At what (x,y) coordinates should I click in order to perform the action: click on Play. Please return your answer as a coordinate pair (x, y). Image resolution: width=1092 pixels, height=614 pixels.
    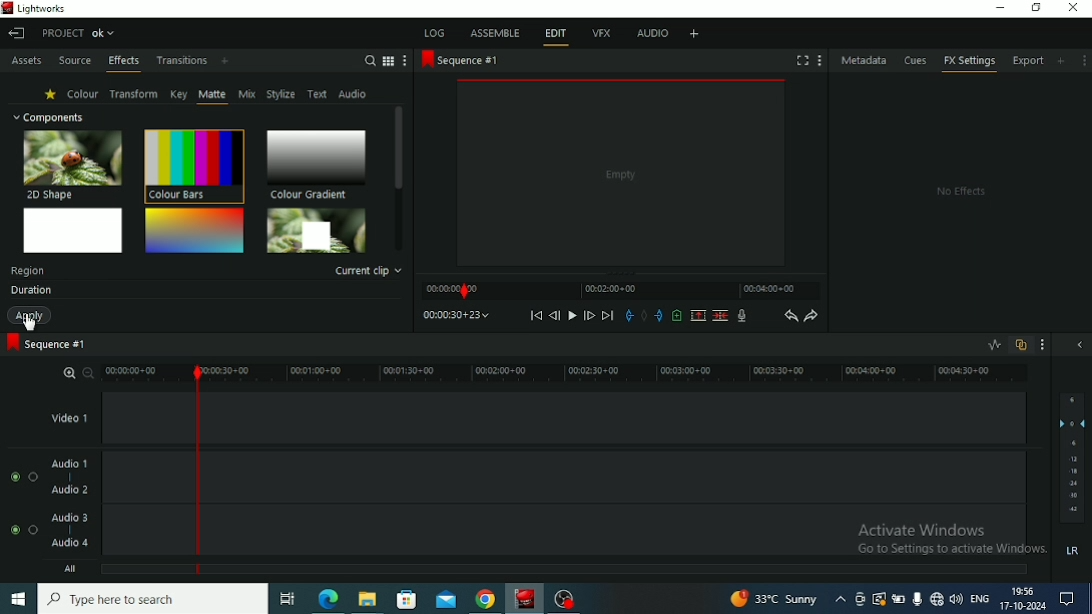
    Looking at the image, I should click on (572, 316).